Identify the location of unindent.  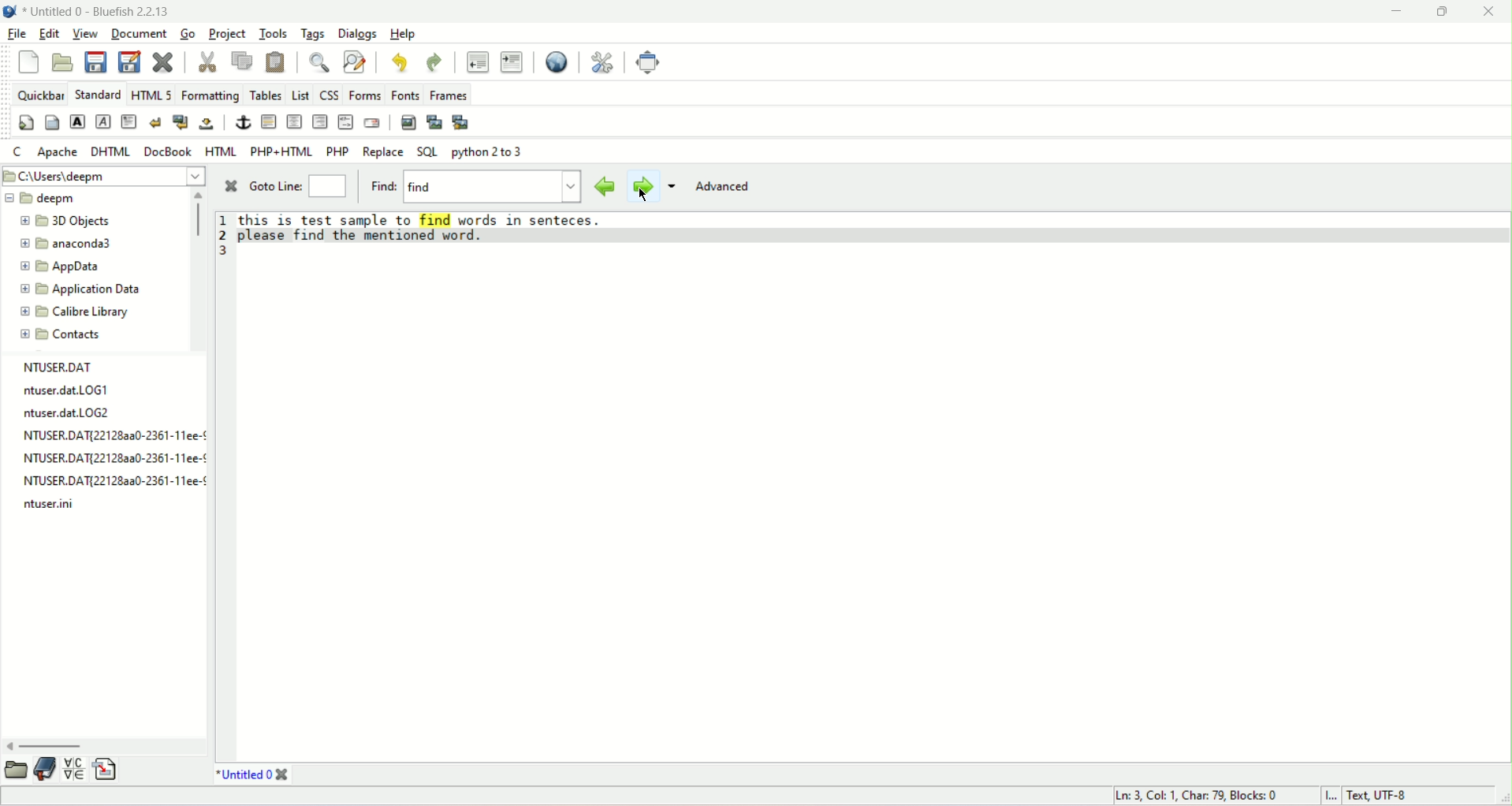
(476, 63).